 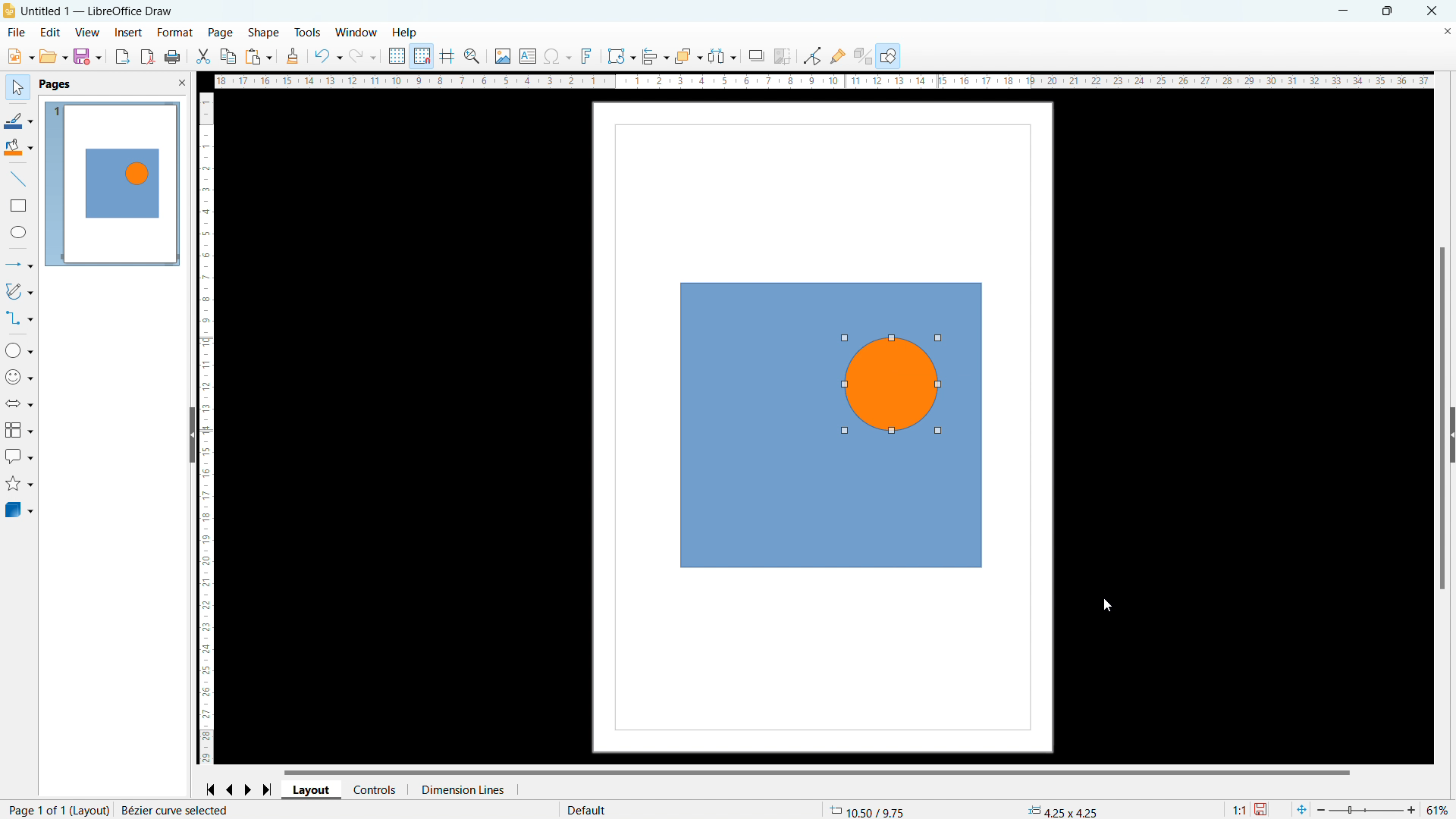 I want to click on vertical ruler, so click(x=209, y=428).